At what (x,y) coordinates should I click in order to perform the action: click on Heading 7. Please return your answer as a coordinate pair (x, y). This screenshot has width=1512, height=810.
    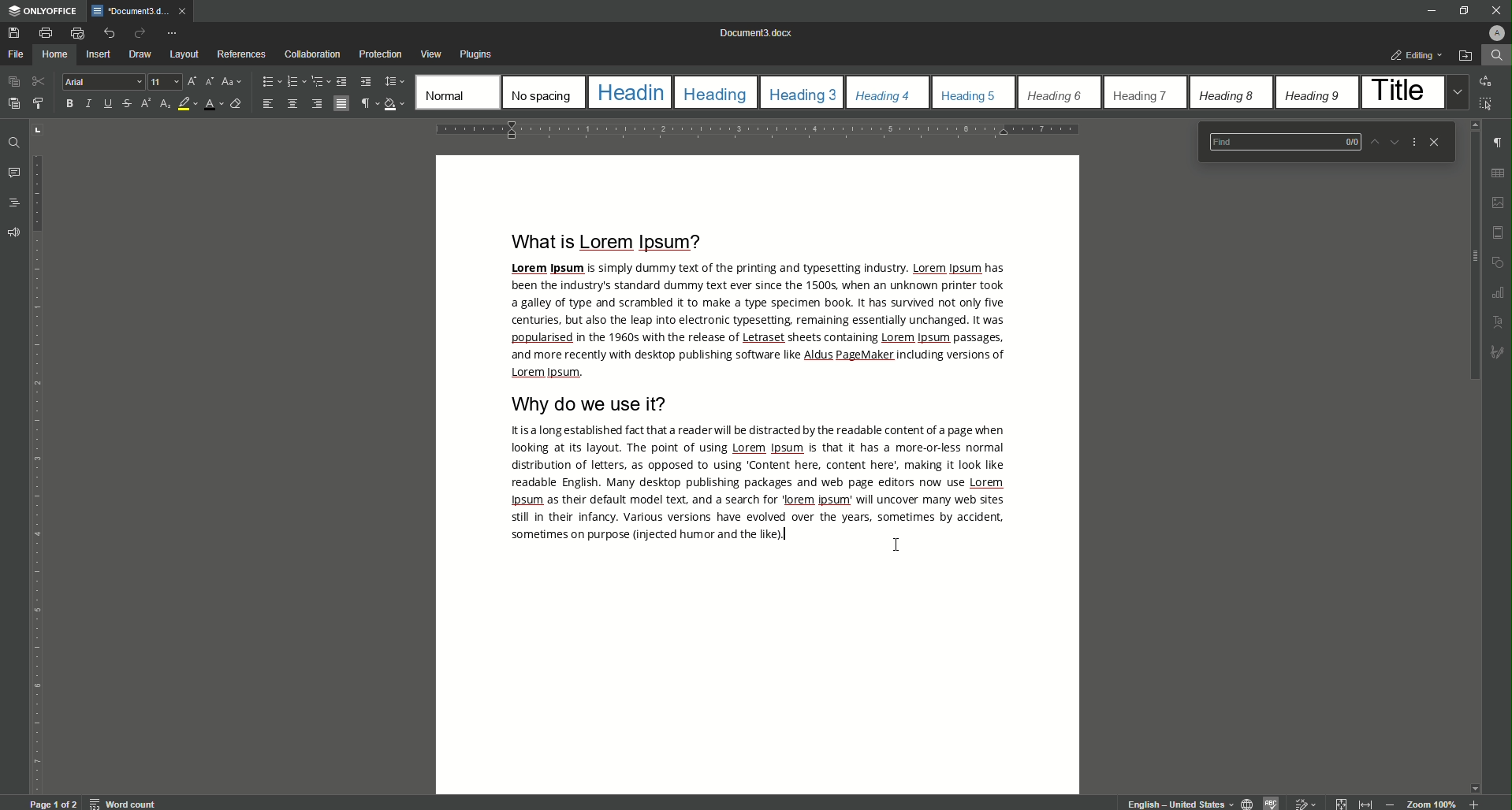
    Looking at the image, I should click on (1140, 95).